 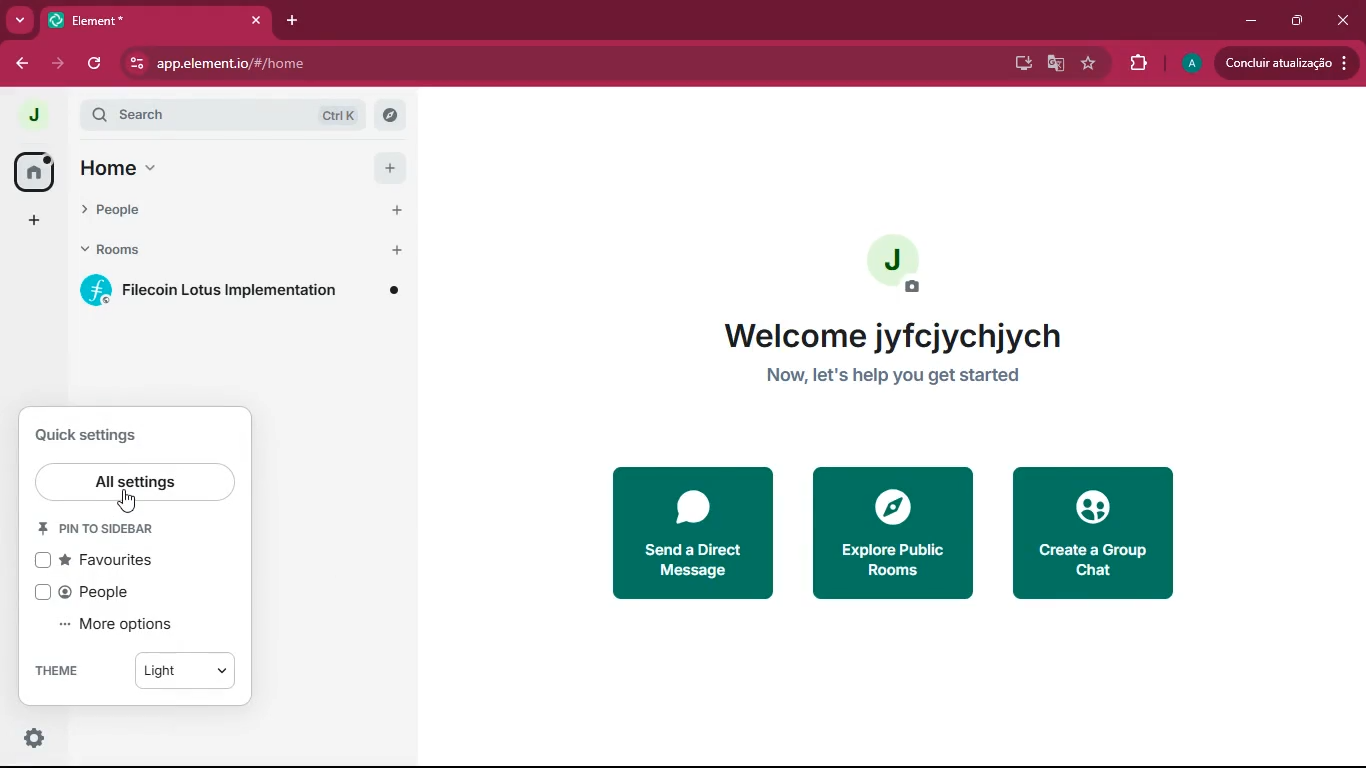 What do you see at coordinates (139, 19) in the screenshot?
I see `Element*` at bounding box center [139, 19].